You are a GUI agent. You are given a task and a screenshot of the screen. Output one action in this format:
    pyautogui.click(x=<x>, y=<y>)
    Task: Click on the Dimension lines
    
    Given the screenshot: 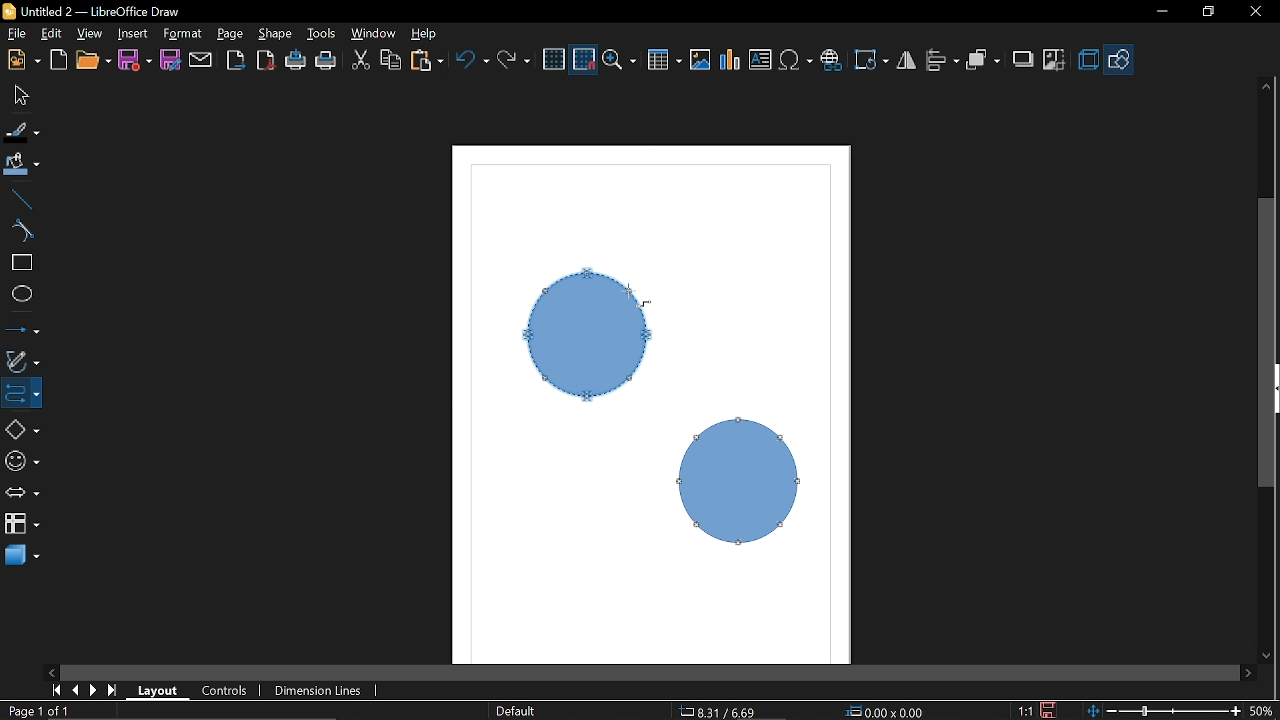 What is the action you would take?
    pyautogui.click(x=324, y=690)
    